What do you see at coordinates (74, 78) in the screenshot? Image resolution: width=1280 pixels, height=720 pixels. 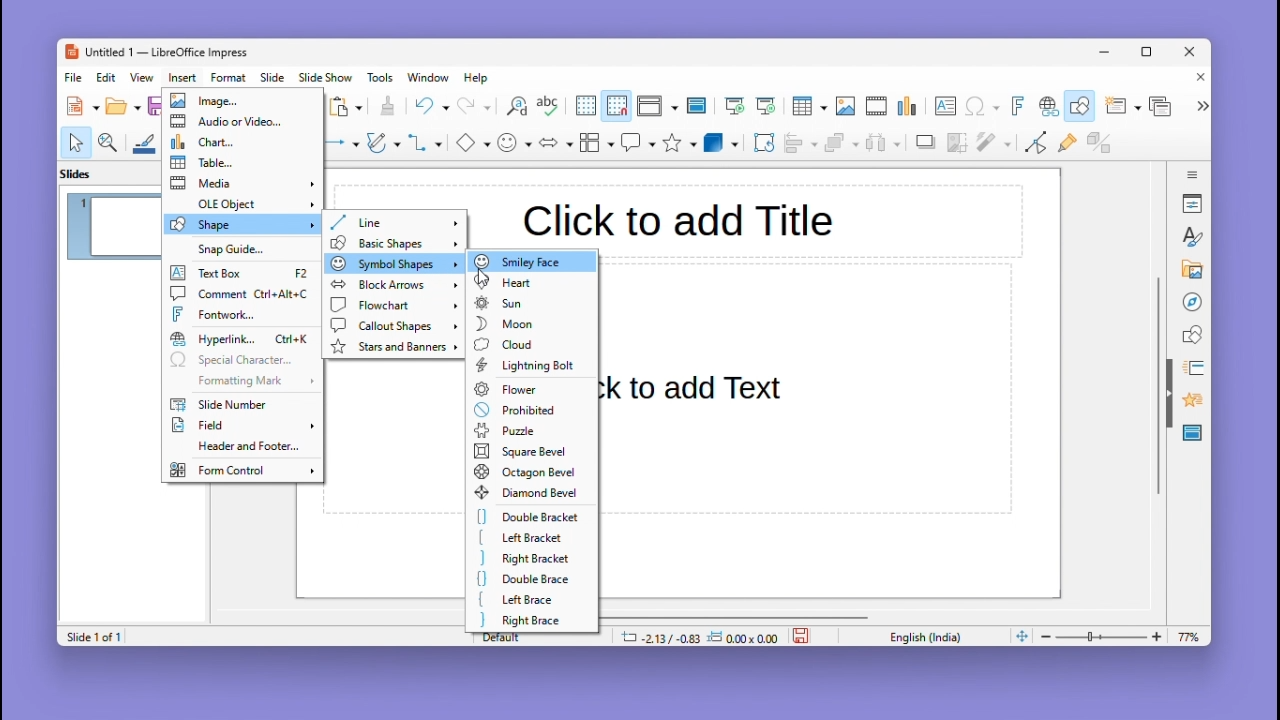 I see `File` at bounding box center [74, 78].